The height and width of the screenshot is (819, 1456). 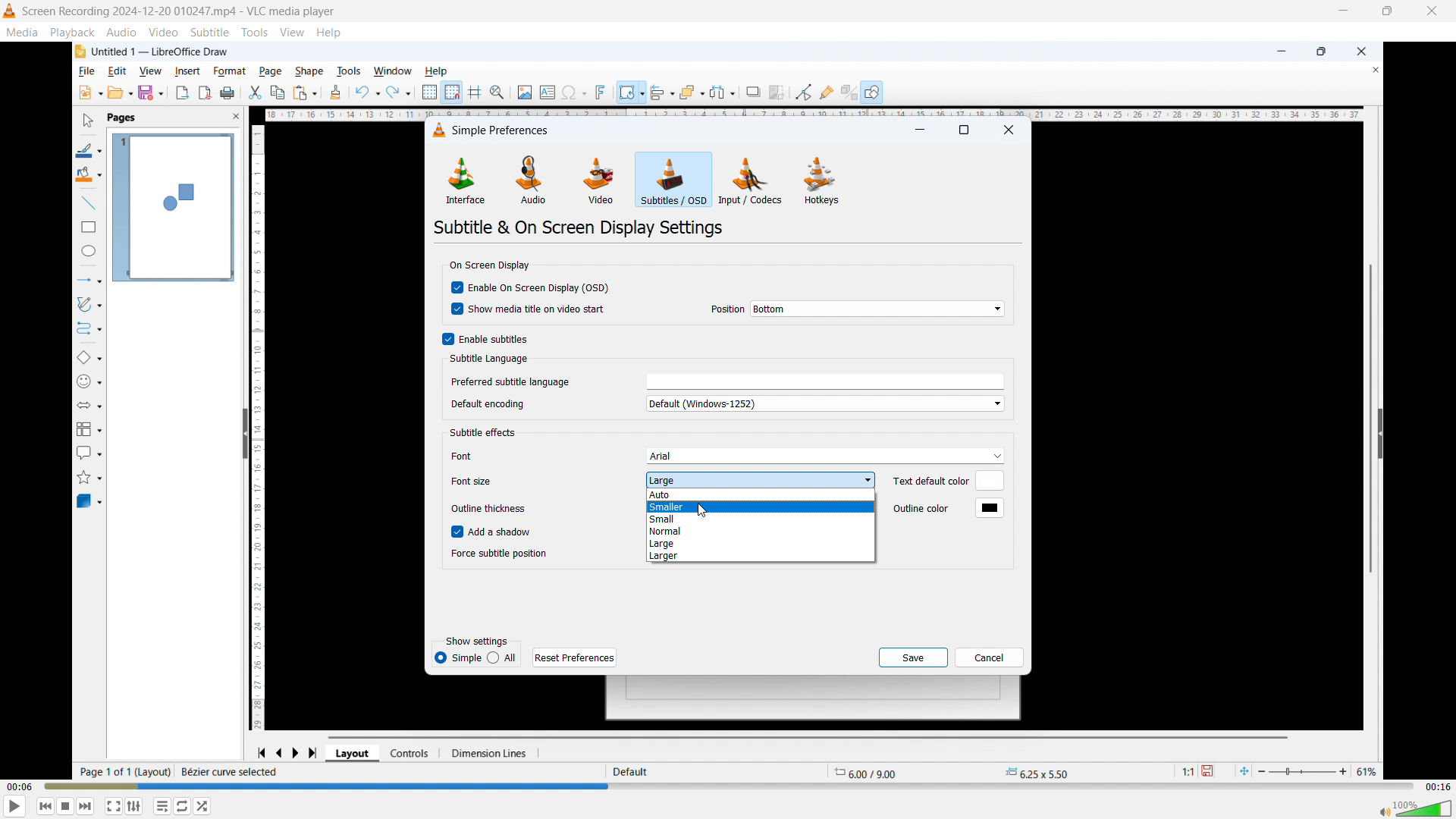 What do you see at coordinates (21, 33) in the screenshot?
I see `Media ` at bounding box center [21, 33].